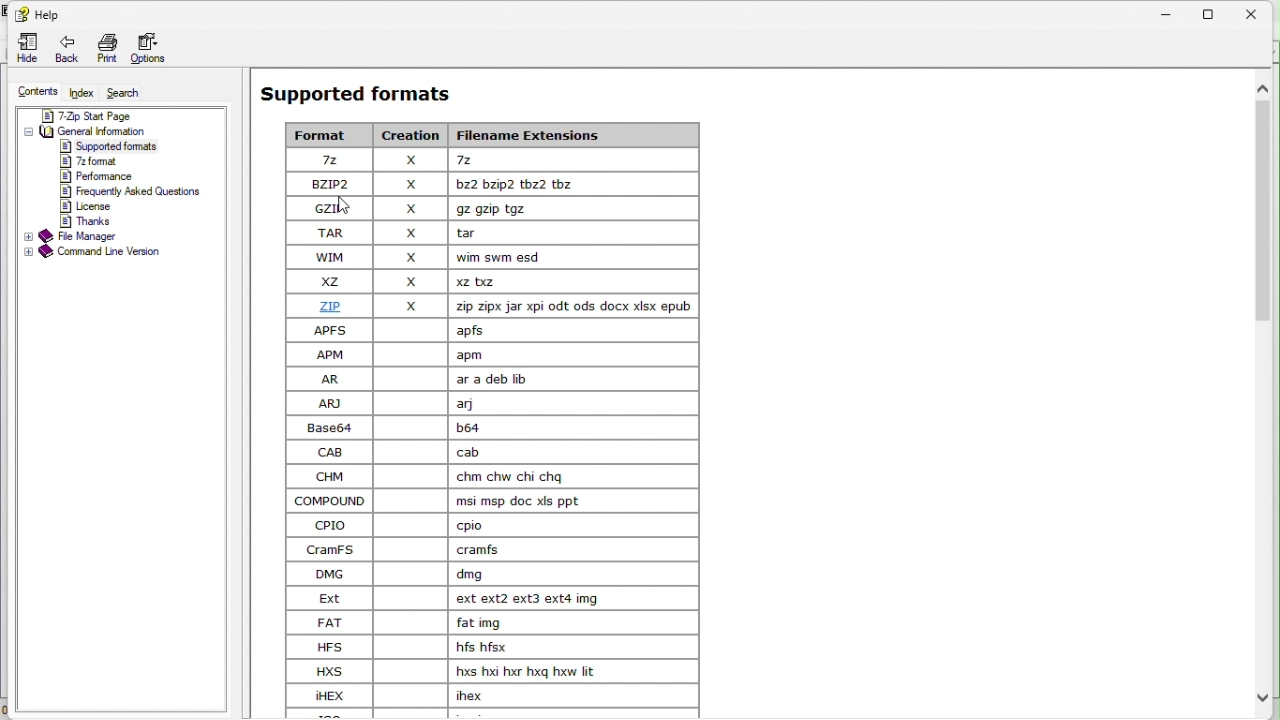 Image resolution: width=1280 pixels, height=720 pixels. Describe the element at coordinates (343, 205) in the screenshot. I see `cursor` at that location.